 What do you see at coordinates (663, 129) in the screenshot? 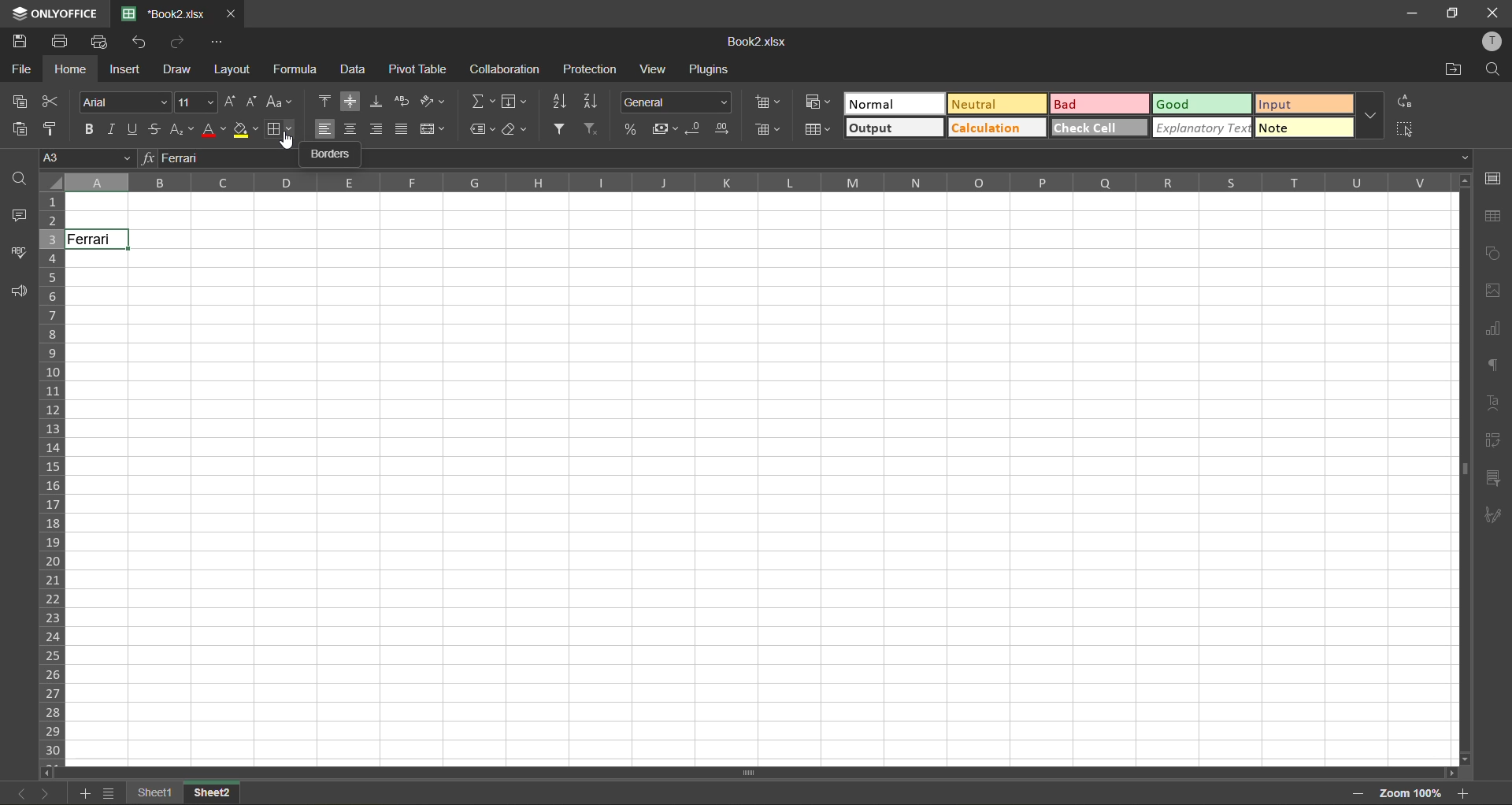
I see `accounting` at bounding box center [663, 129].